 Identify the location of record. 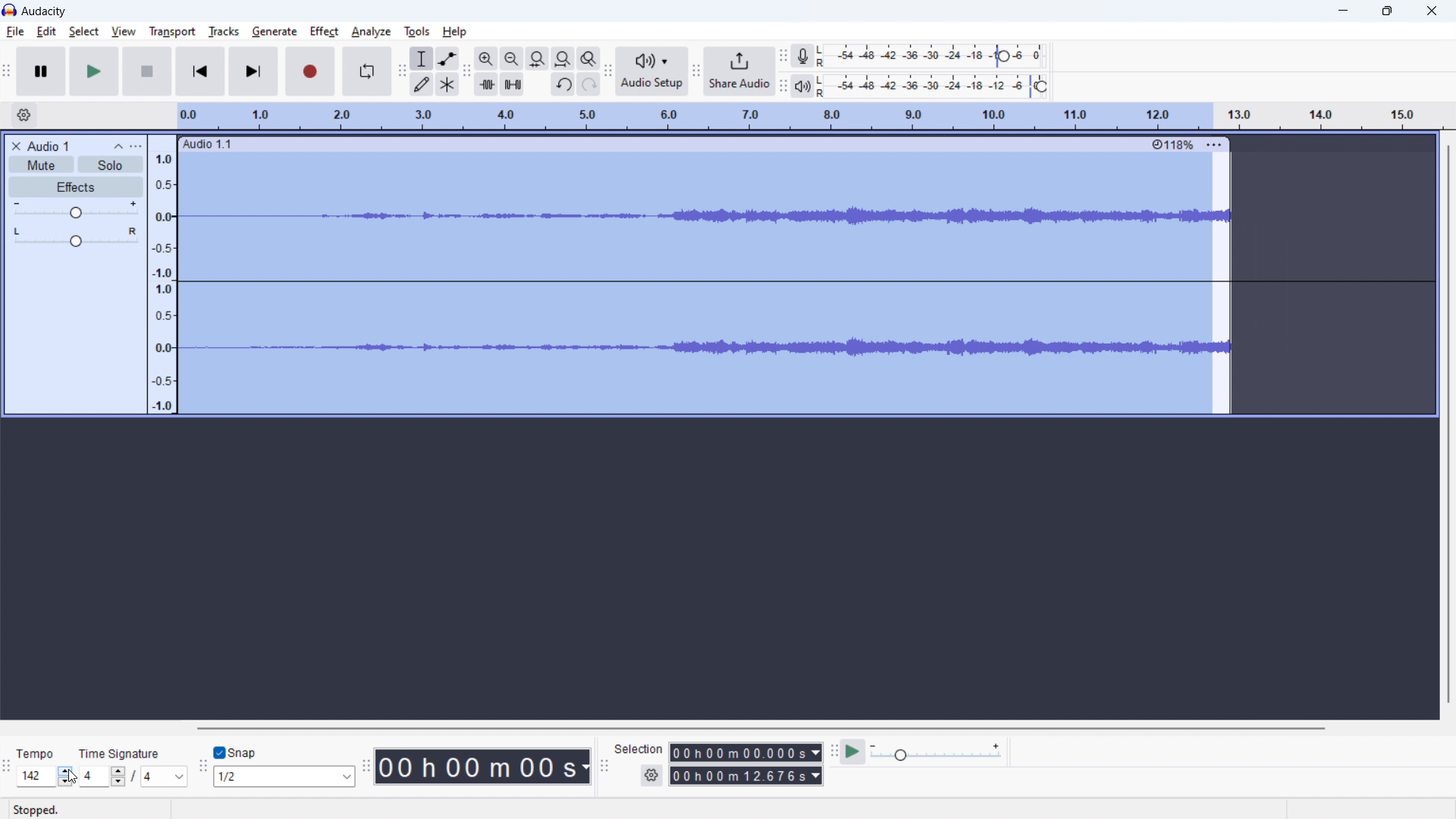
(310, 71).